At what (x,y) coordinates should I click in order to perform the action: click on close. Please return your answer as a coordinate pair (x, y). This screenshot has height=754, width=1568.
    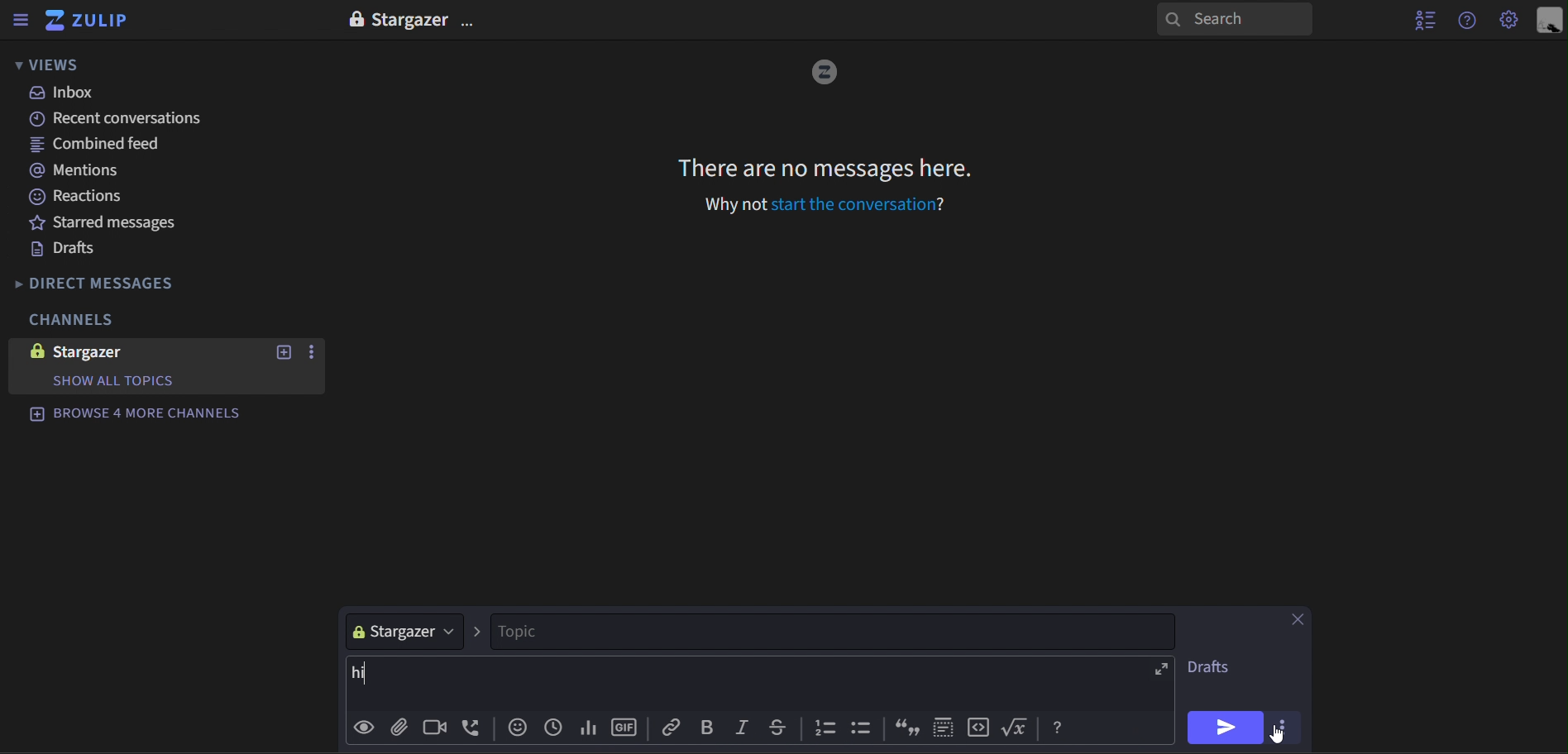
    Looking at the image, I should click on (1297, 619).